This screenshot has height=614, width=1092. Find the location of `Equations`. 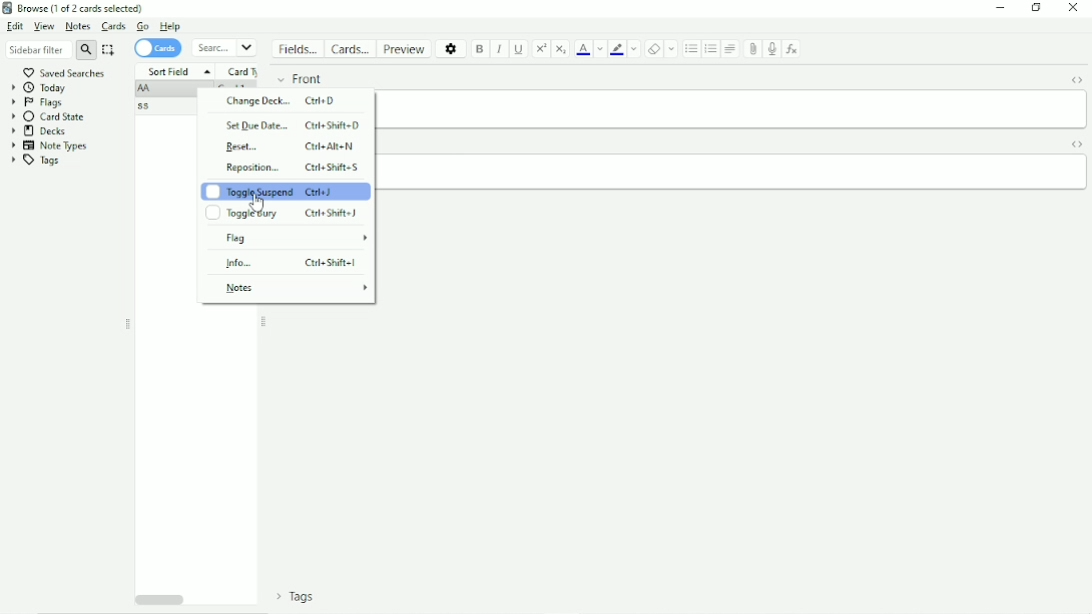

Equations is located at coordinates (793, 48).